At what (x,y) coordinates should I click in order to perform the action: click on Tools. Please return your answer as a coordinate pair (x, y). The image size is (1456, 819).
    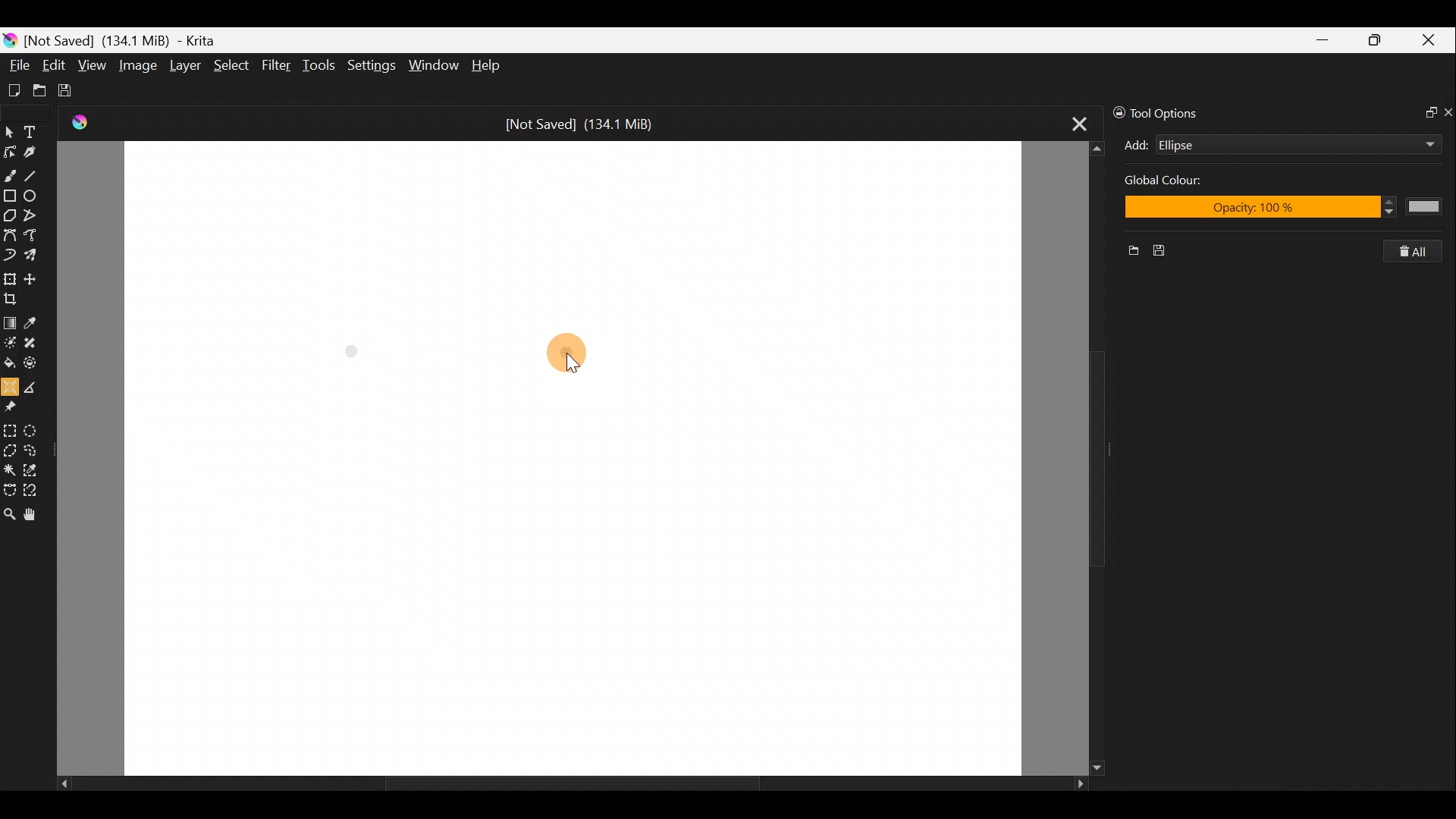
    Looking at the image, I should click on (322, 67).